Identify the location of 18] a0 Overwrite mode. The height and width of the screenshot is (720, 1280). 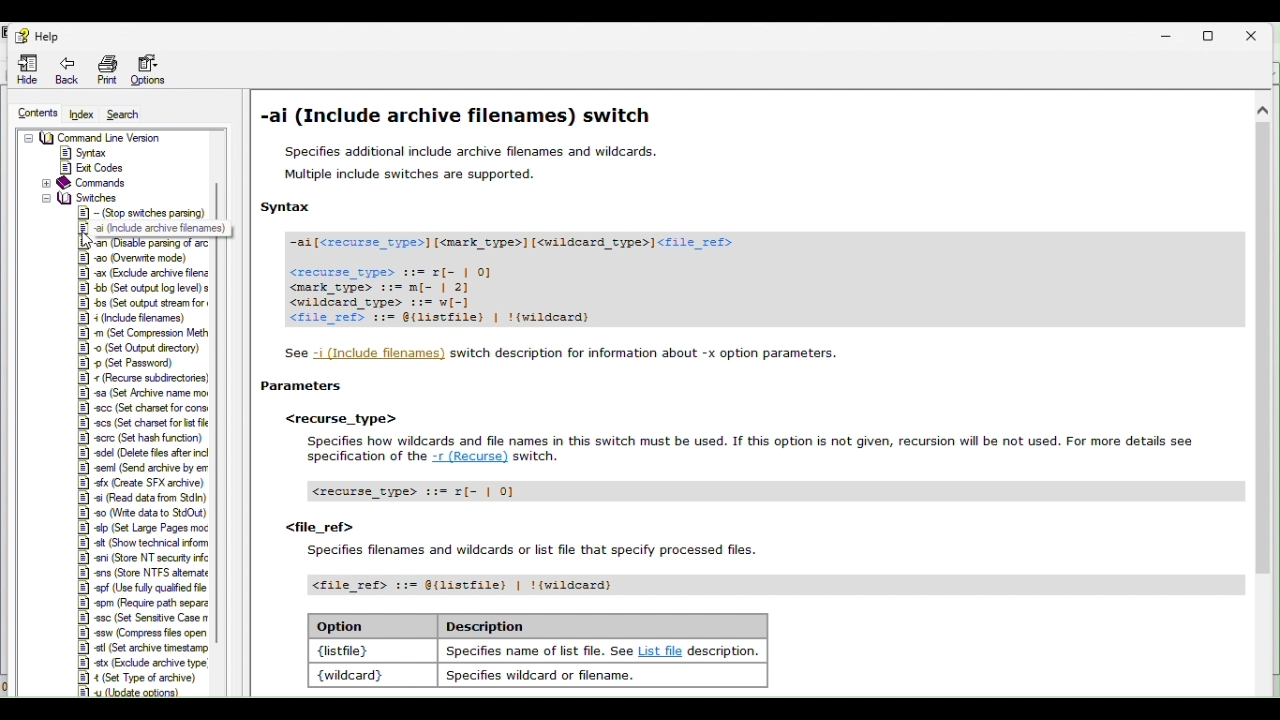
(131, 257).